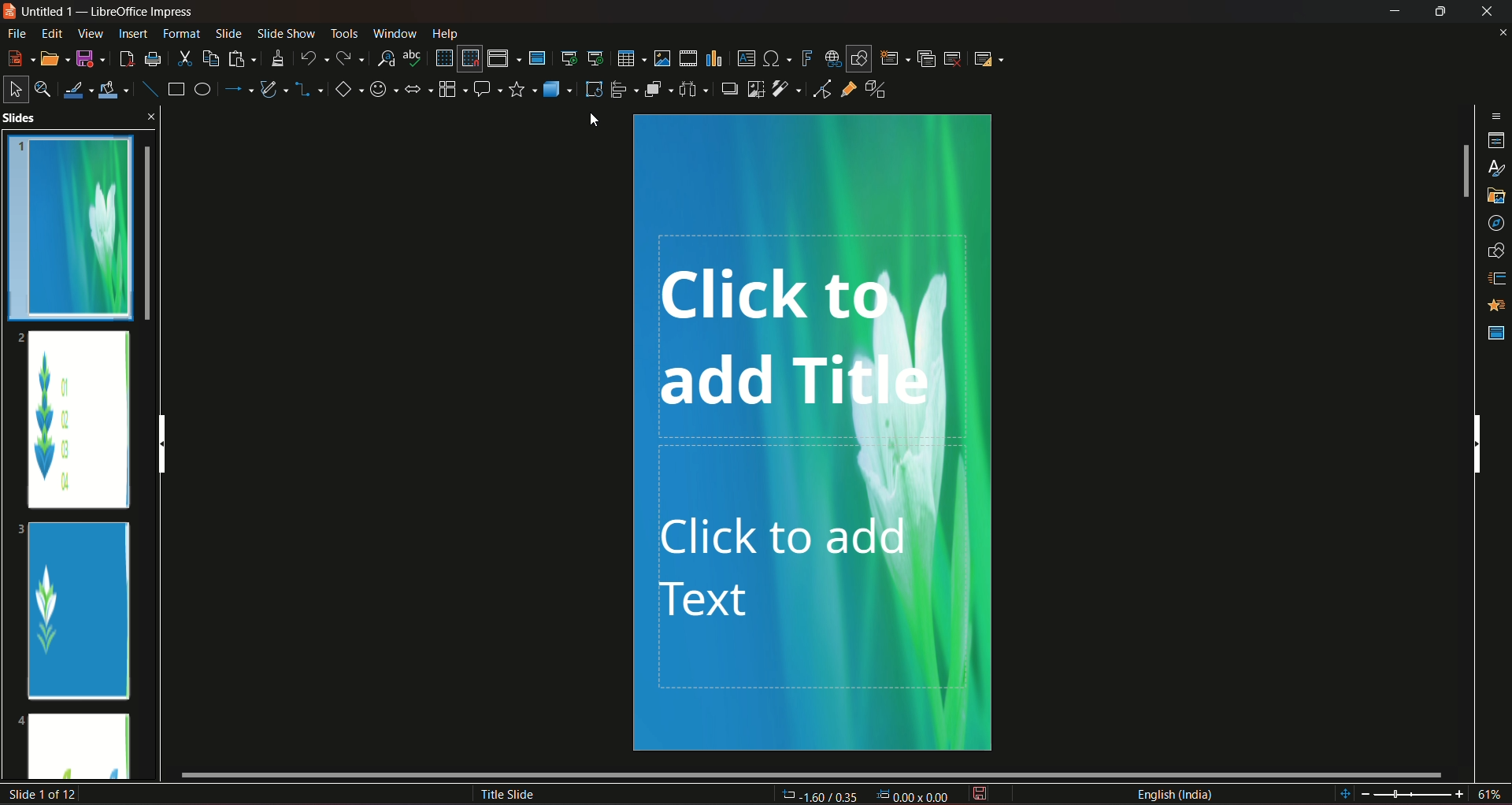 This screenshot has height=805, width=1512. I want to click on zoom and pan, so click(45, 88).